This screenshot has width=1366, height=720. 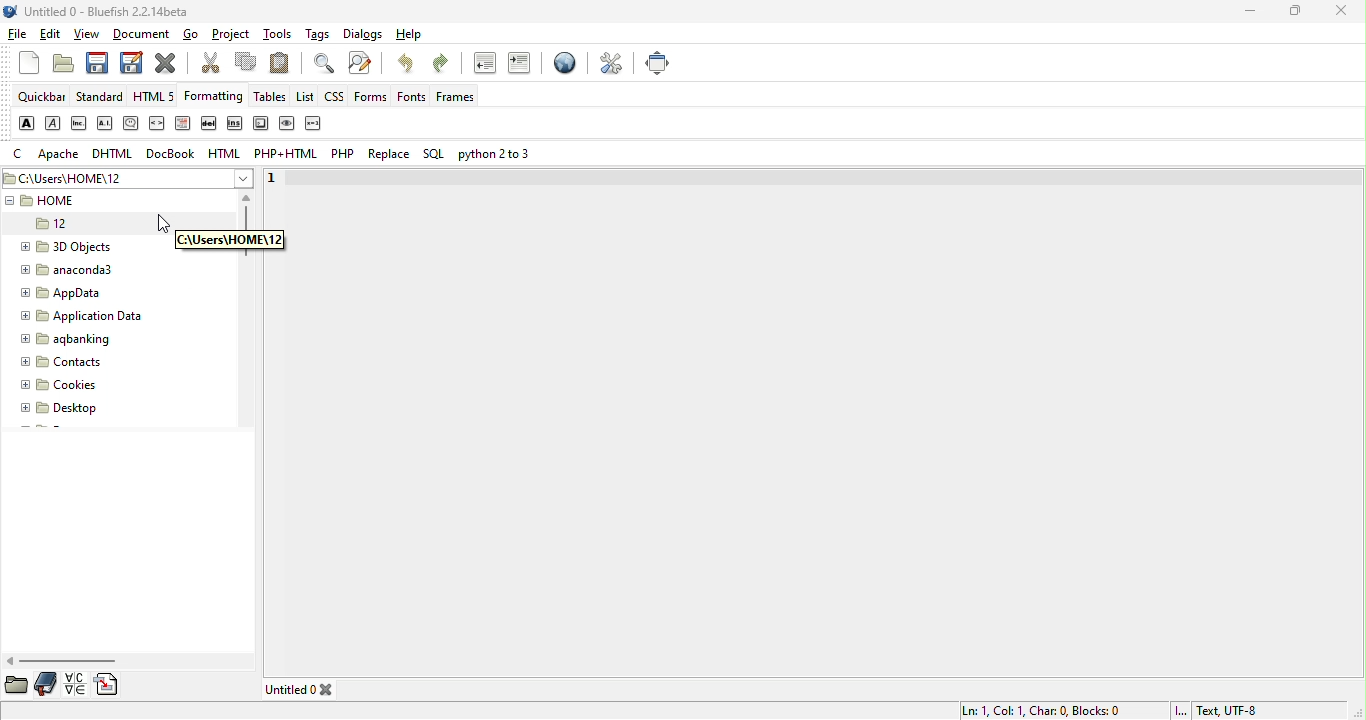 I want to click on apache, so click(x=61, y=155).